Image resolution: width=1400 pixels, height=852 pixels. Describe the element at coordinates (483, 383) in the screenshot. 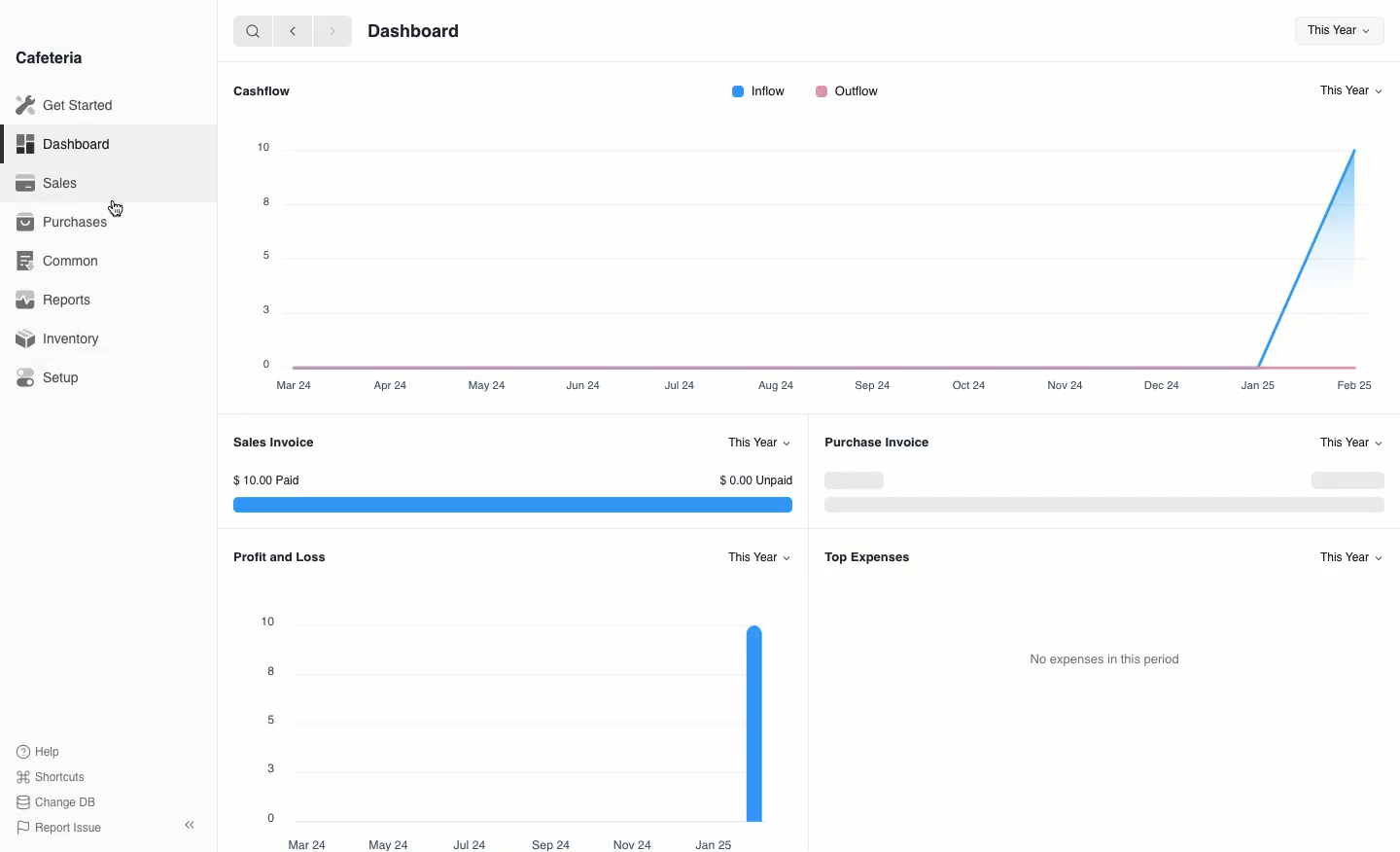

I see `May 24` at that location.